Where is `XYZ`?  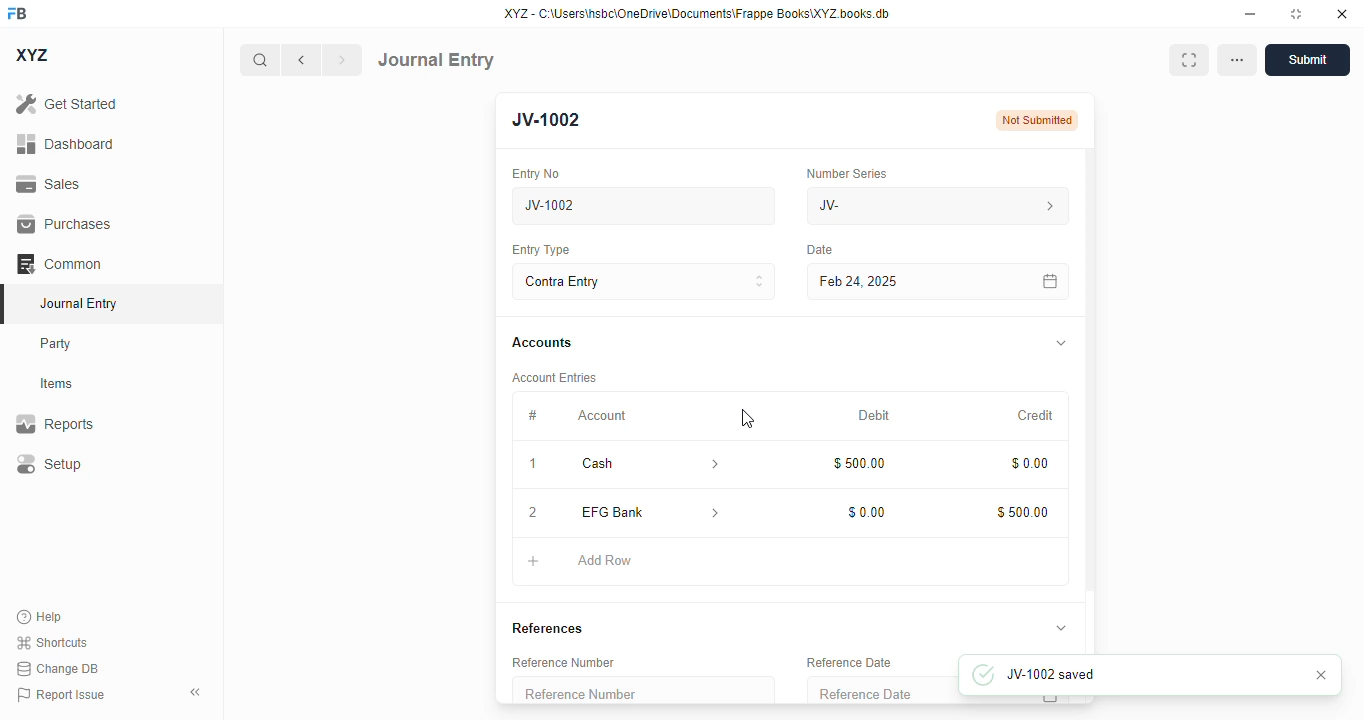
XYZ is located at coordinates (31, 55).